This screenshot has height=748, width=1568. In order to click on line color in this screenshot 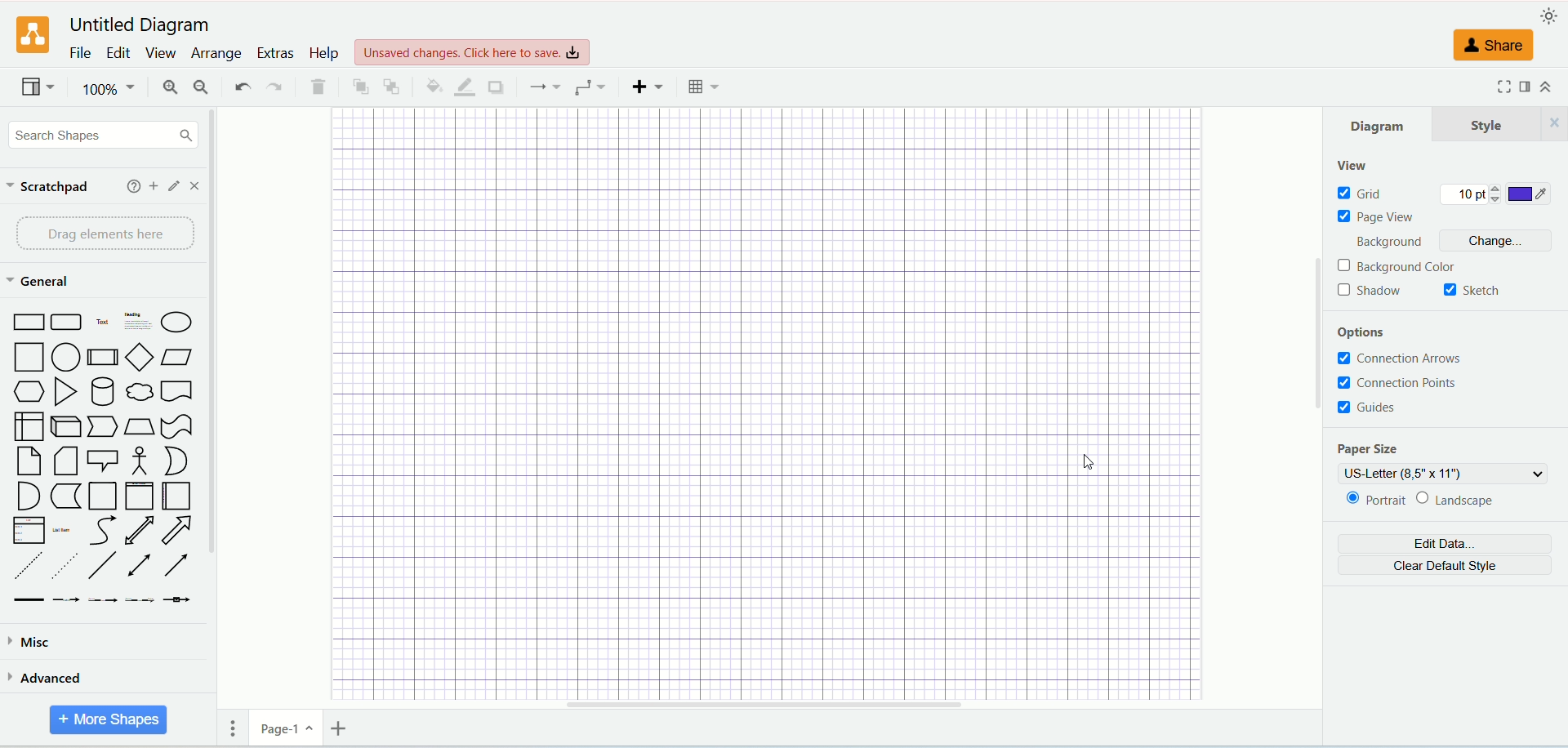, I will do `click(464, 87)`.